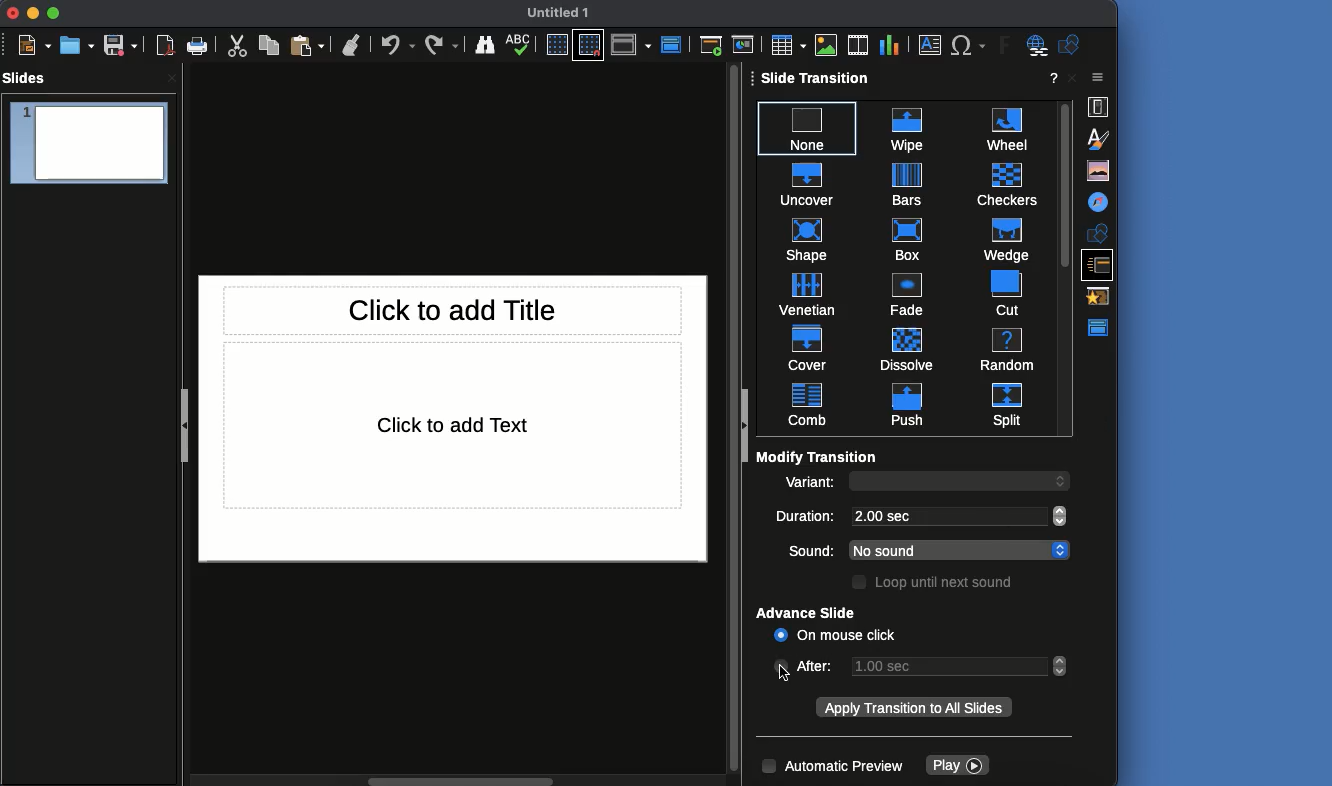  Describe the element at coordinates (488, 46) in the screenshot. I see `Finder` at that location.